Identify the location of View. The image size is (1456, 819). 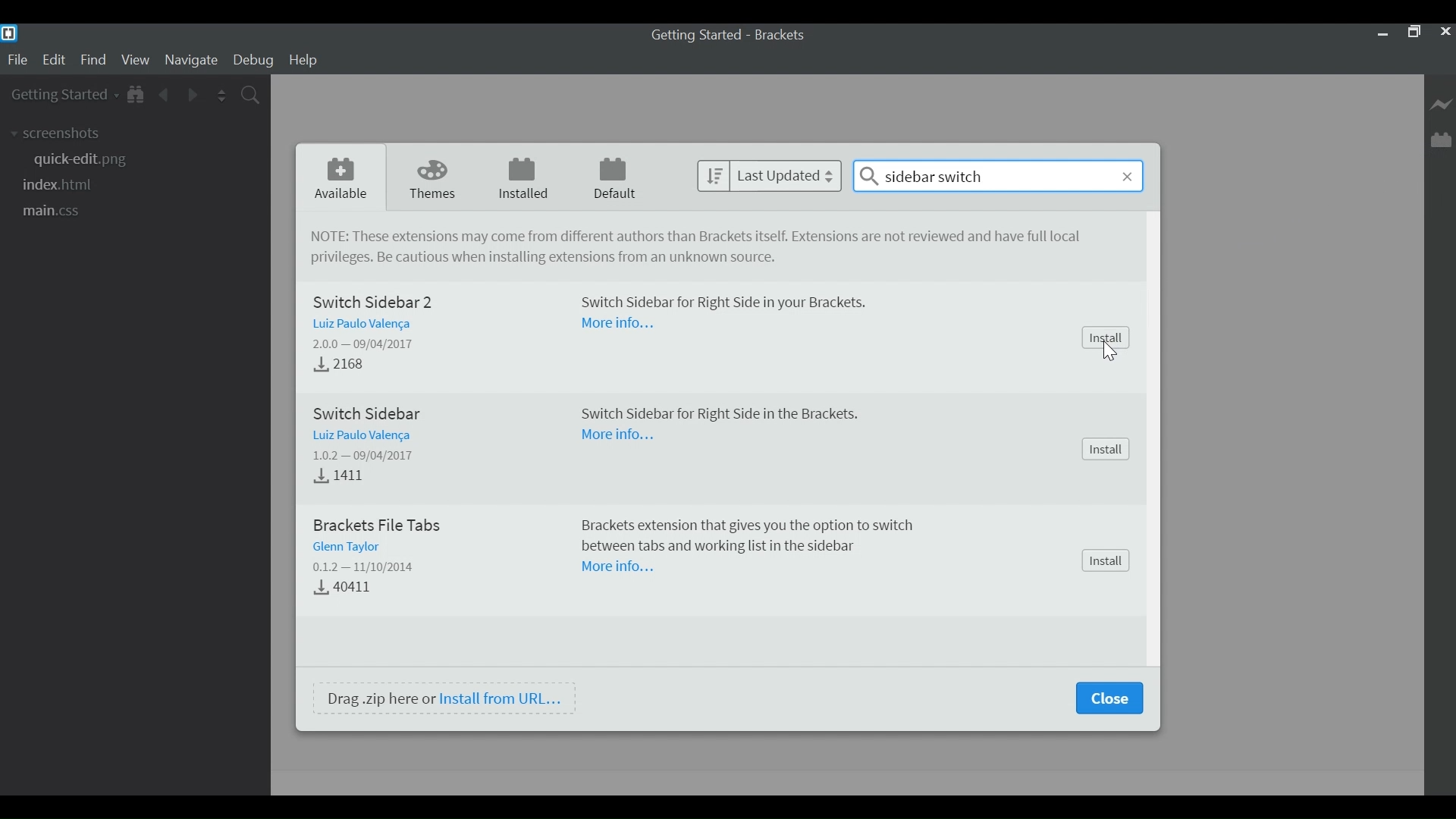
(135, 61).